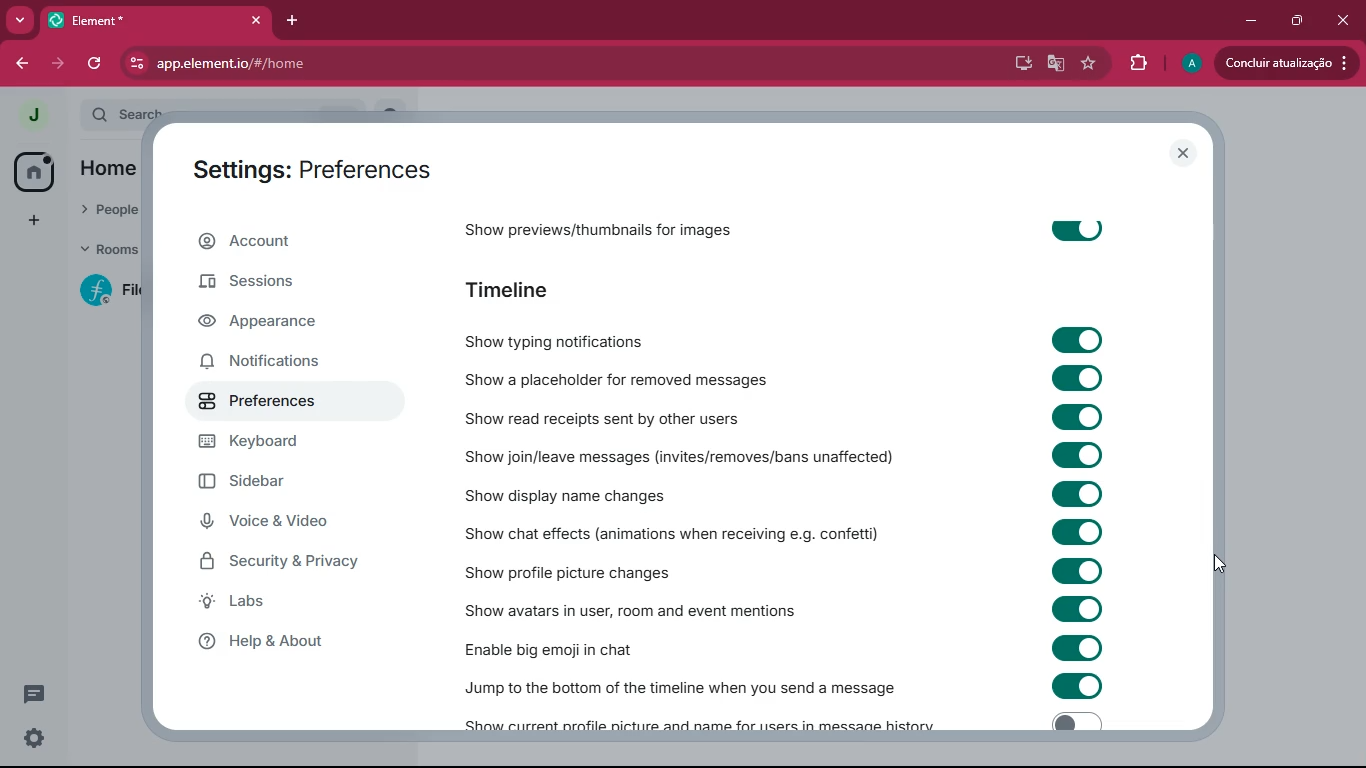  What do you see at coordinates (34, 170) in the screenshot?
I see `home` at bounding box center [34, 170].